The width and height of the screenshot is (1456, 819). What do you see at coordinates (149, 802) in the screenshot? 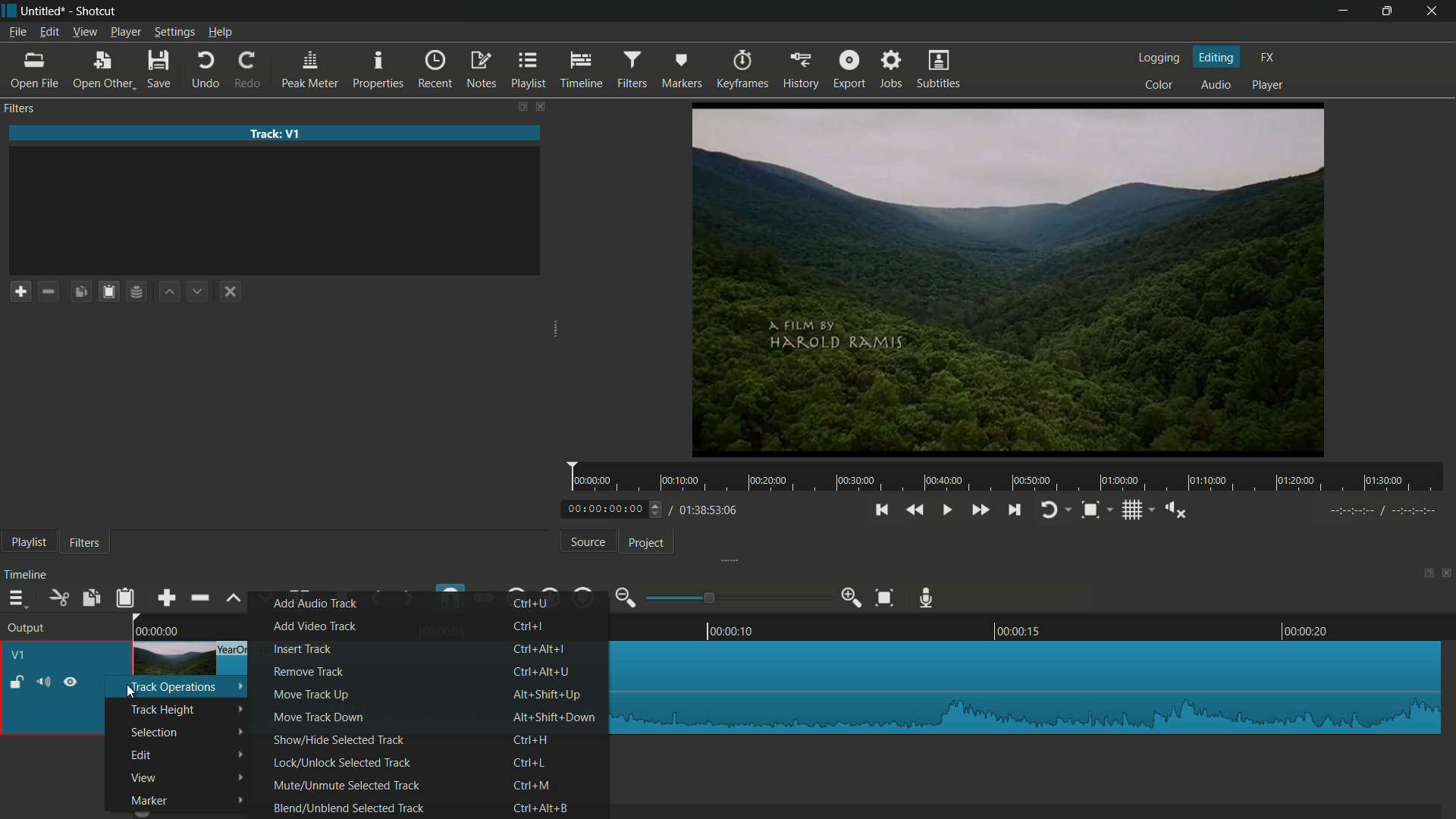
I see `marker` at bounding box center [149, 802].